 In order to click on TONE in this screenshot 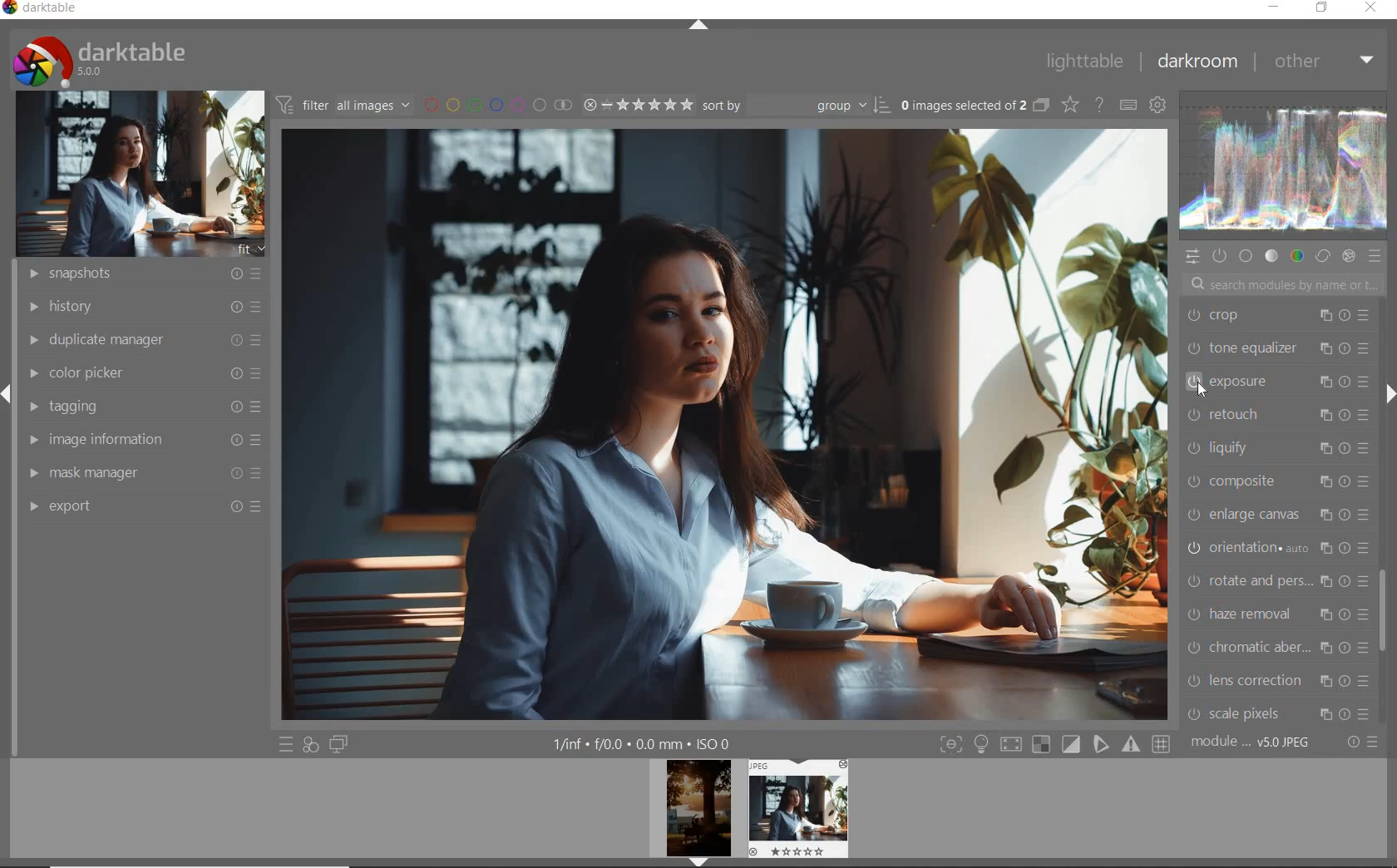, I will do `click(1271, 256)`.